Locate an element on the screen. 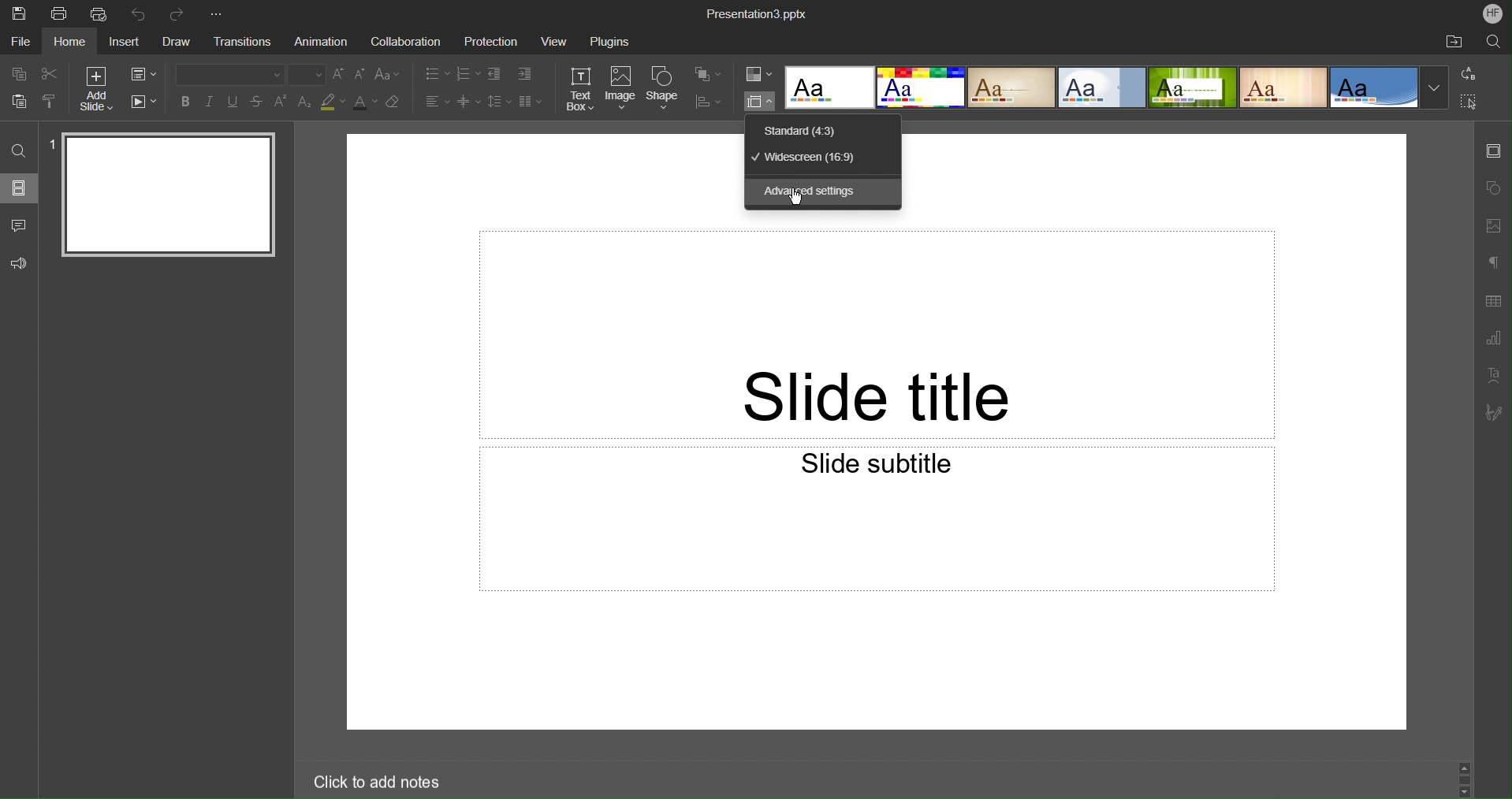  Numbered List is located at coordinates (467, 73).